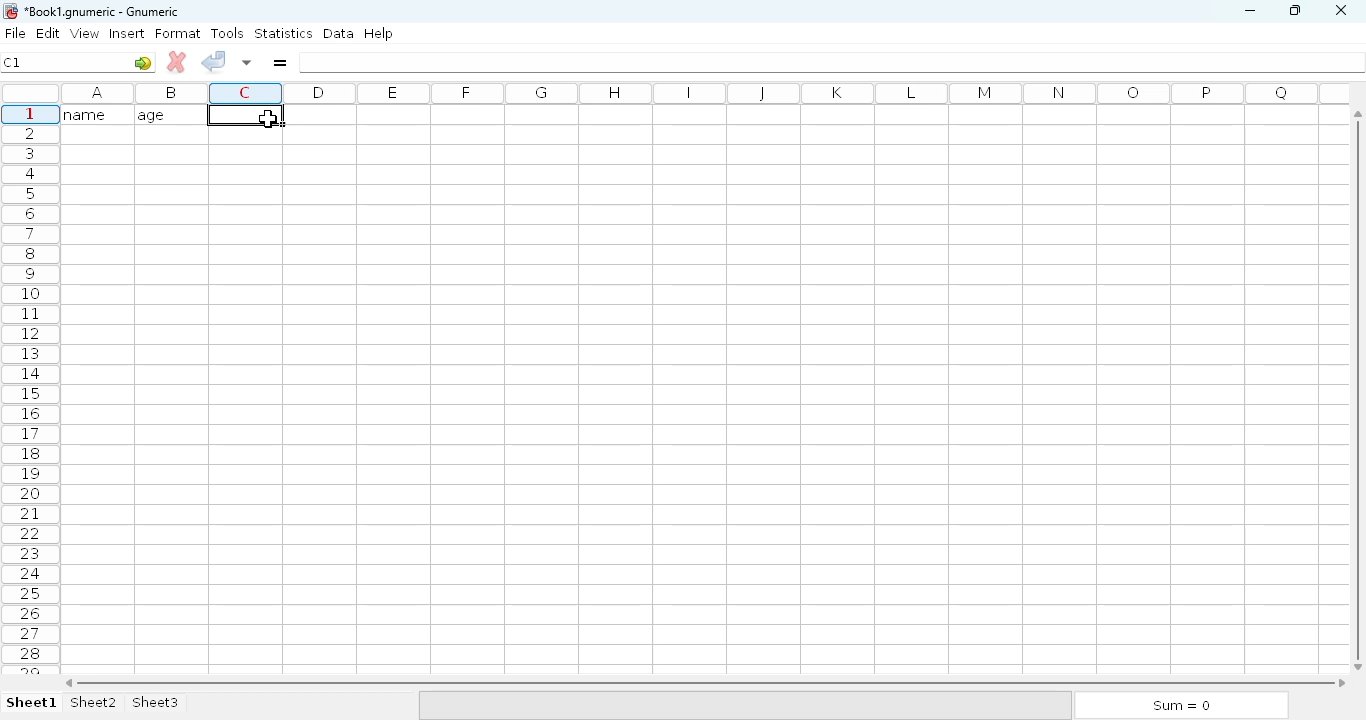  Describe the element at coordinates (283, 32) in the screenshot. I see `statistics` at that location.